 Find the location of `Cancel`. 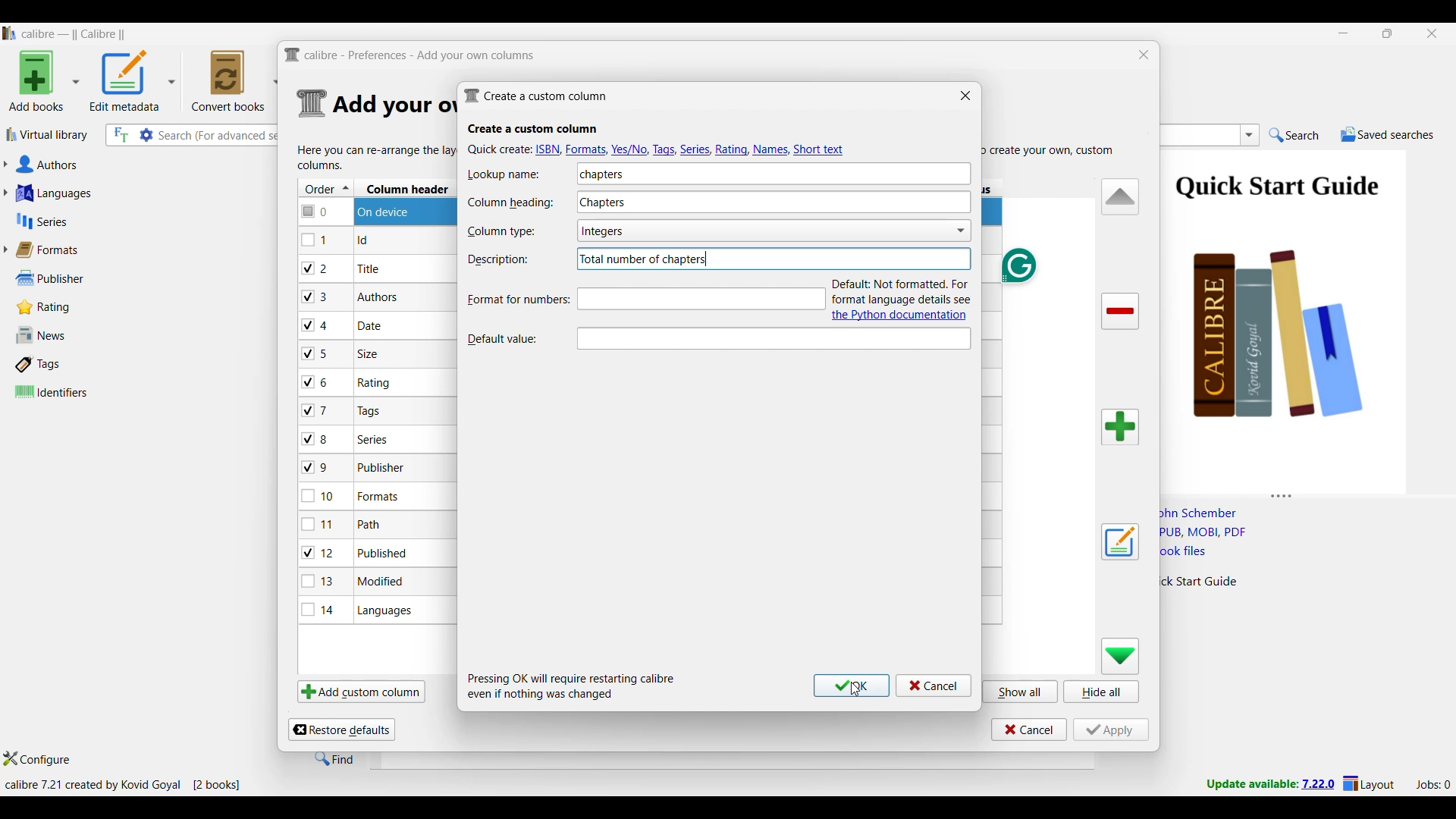

Cancel is located at coordinates (1029, 730).